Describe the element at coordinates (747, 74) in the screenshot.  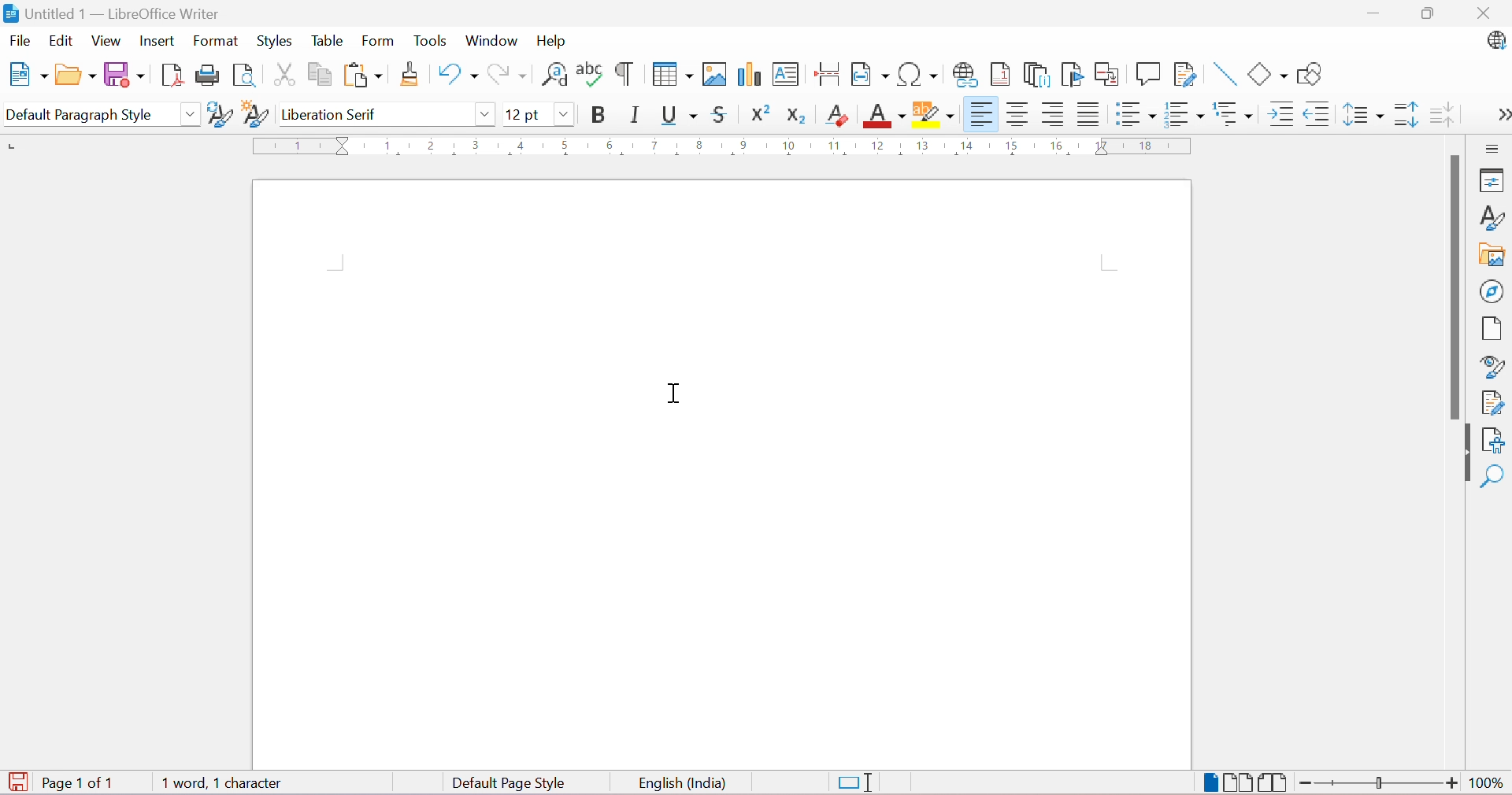
I see `Insert Chart` at that location.